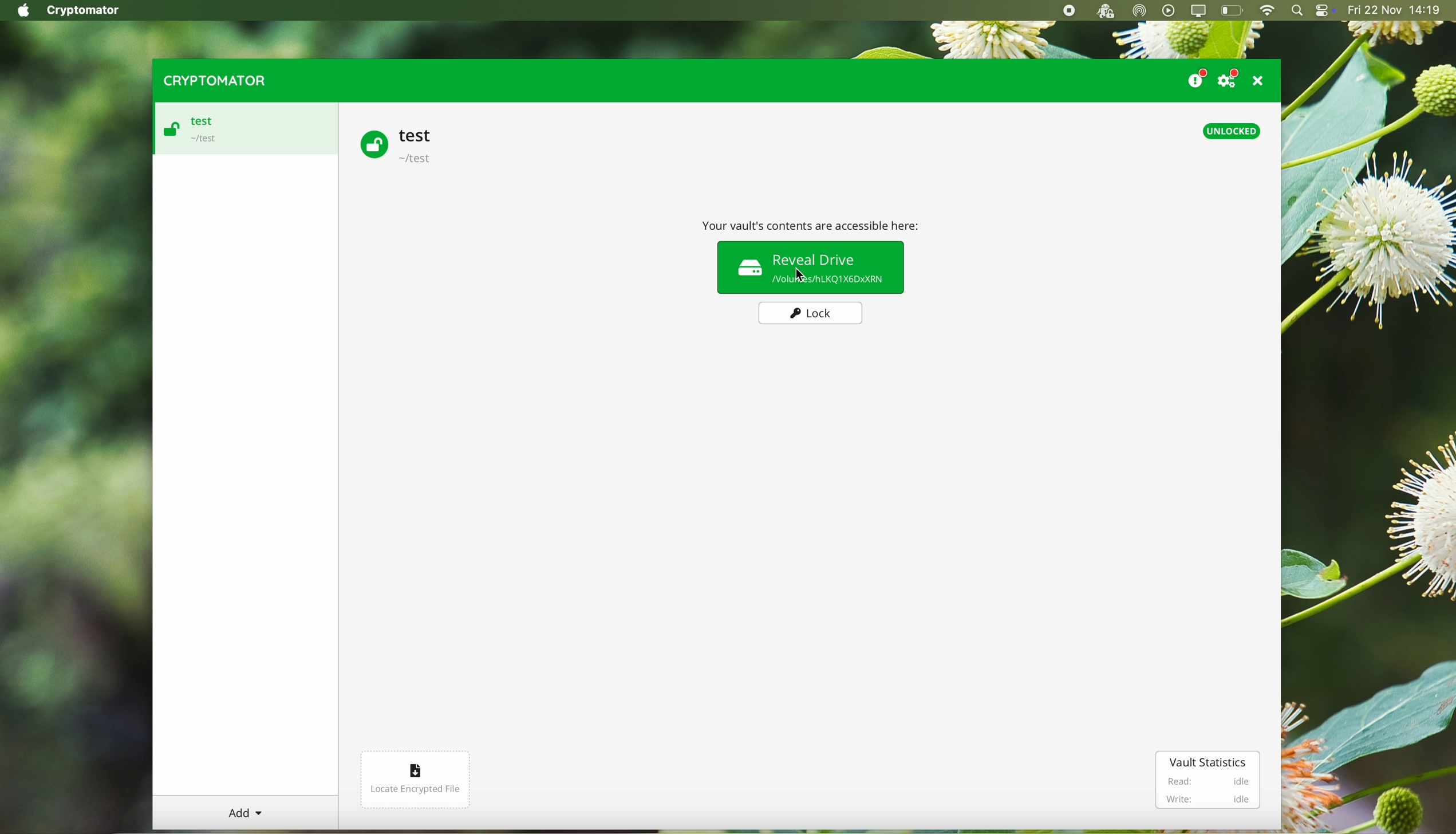 The image size is (1456, 834). I want to click on wifi, so click(1266, 11).